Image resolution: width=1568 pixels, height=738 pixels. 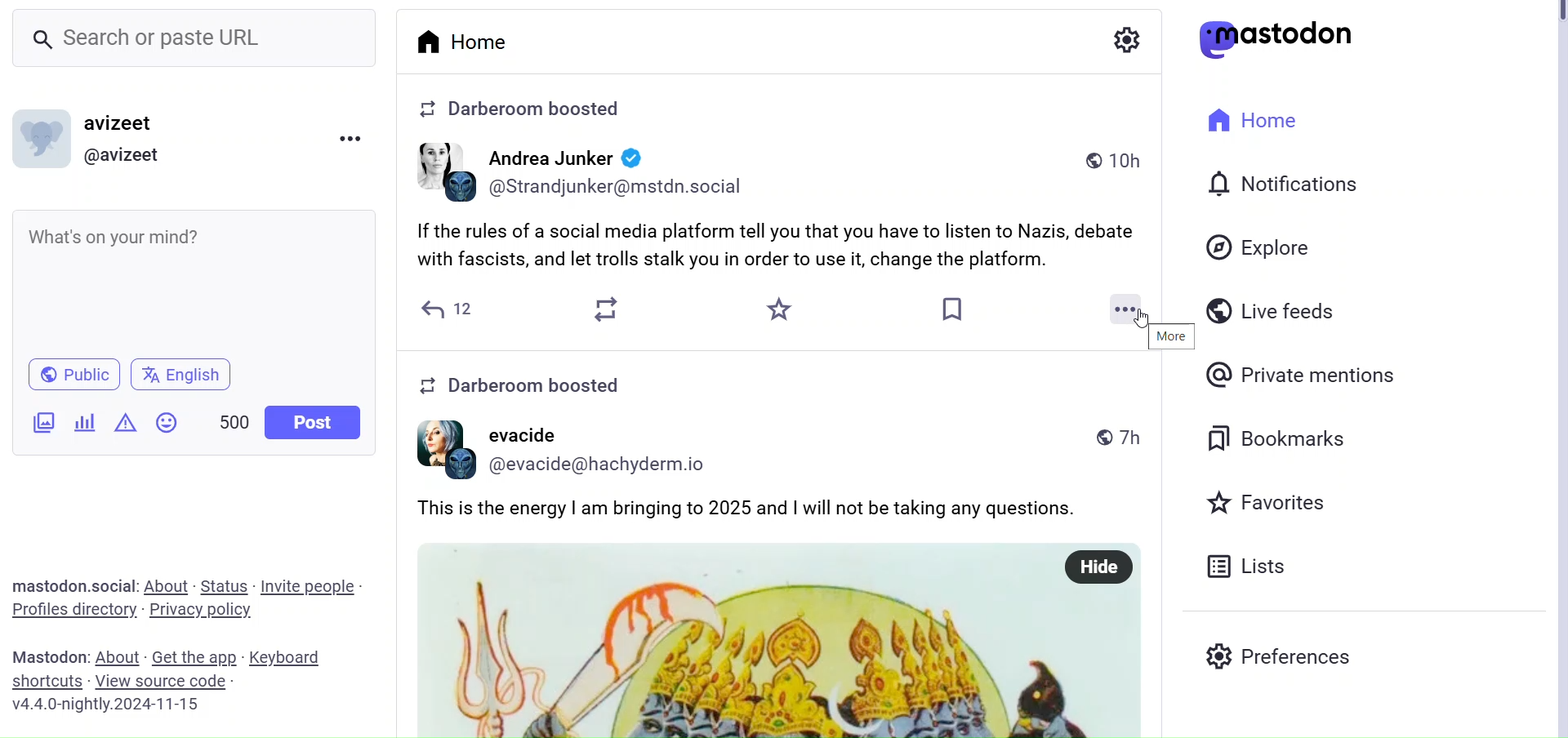 I want to click on Privacy Policy, so click(x=205, y=608).